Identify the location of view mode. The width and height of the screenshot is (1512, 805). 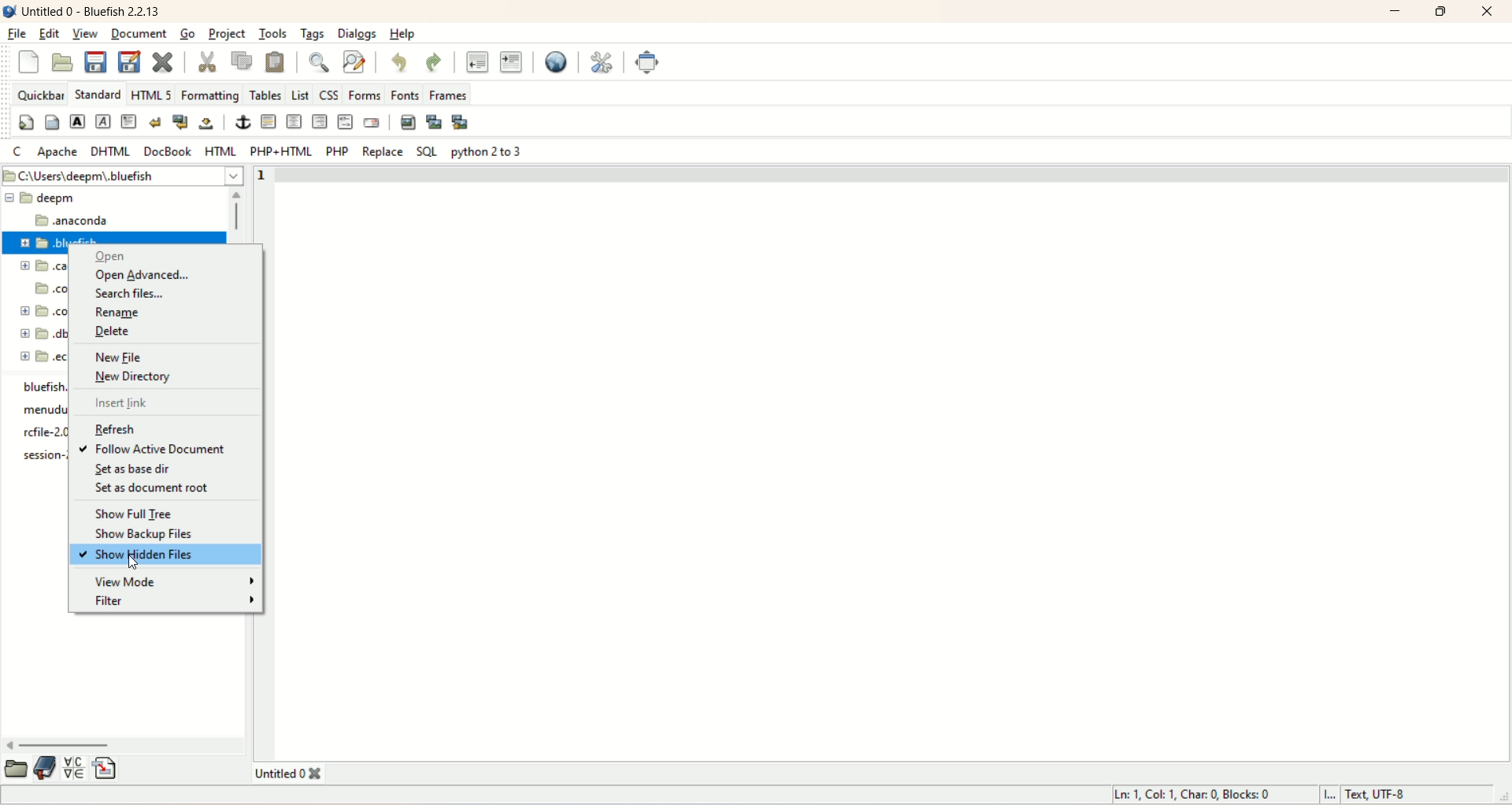
(172, 581).